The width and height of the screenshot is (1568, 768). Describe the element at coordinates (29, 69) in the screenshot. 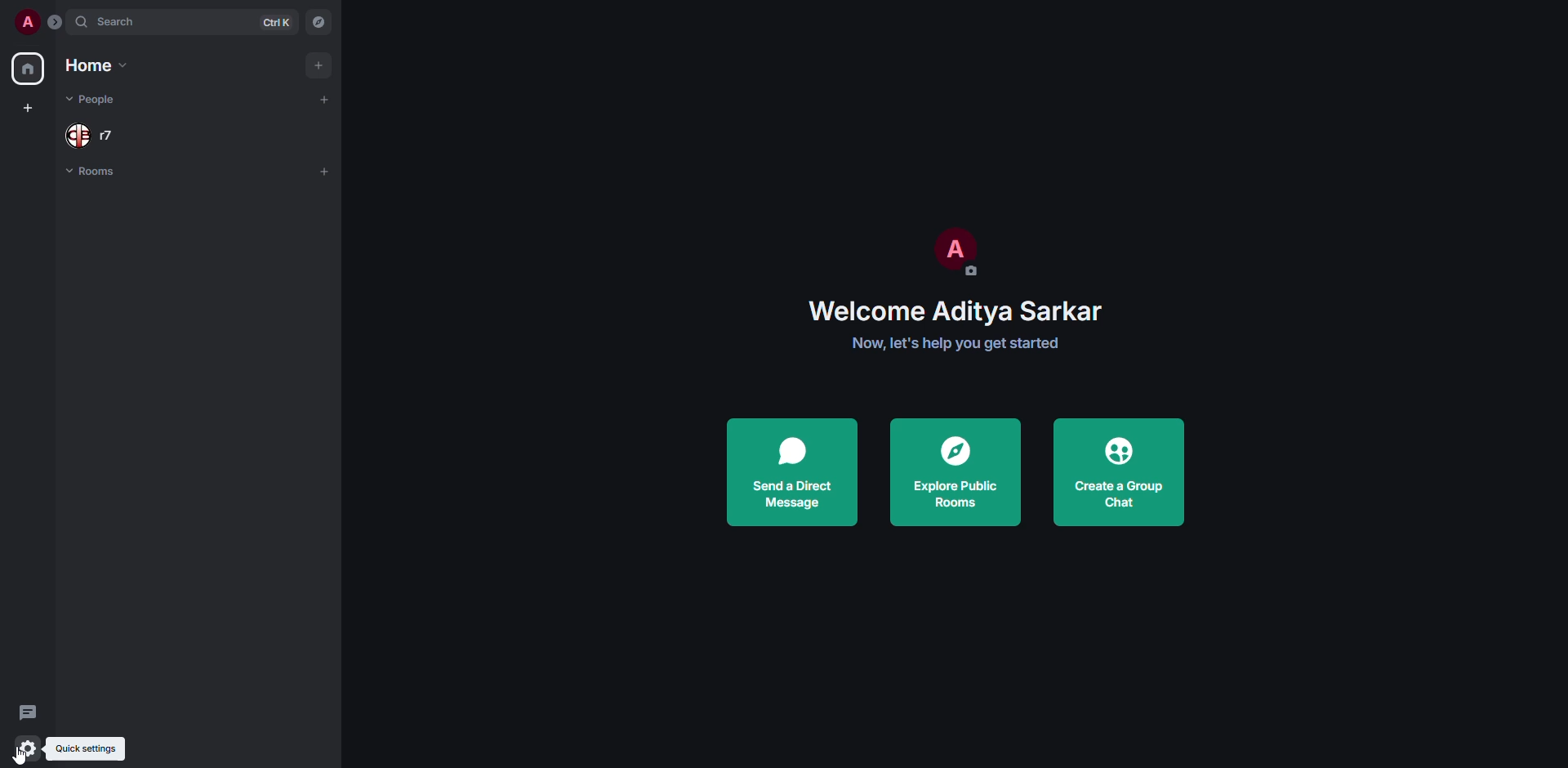

I see `home` at that location.